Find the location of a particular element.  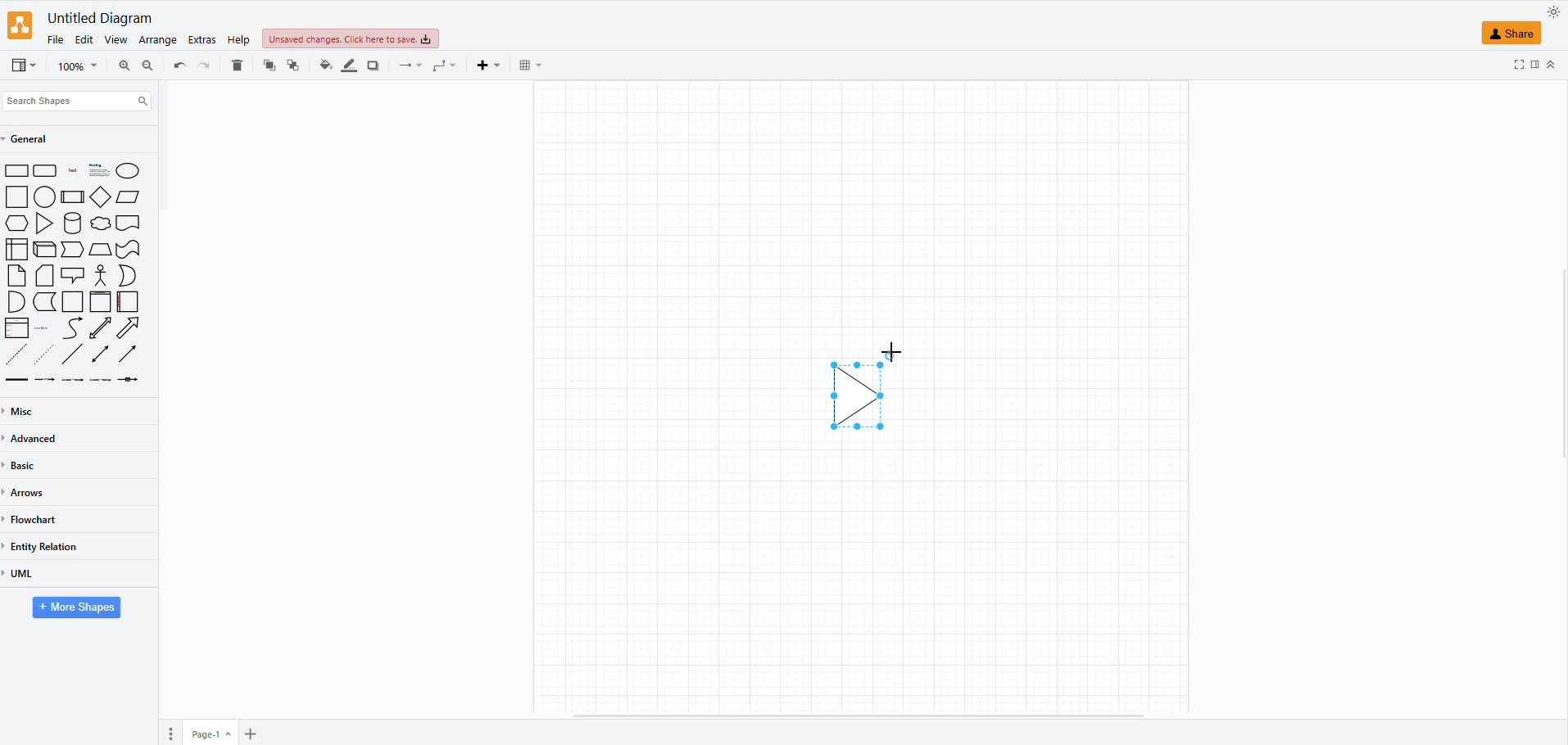

Class is located at coordinates (17, 328).